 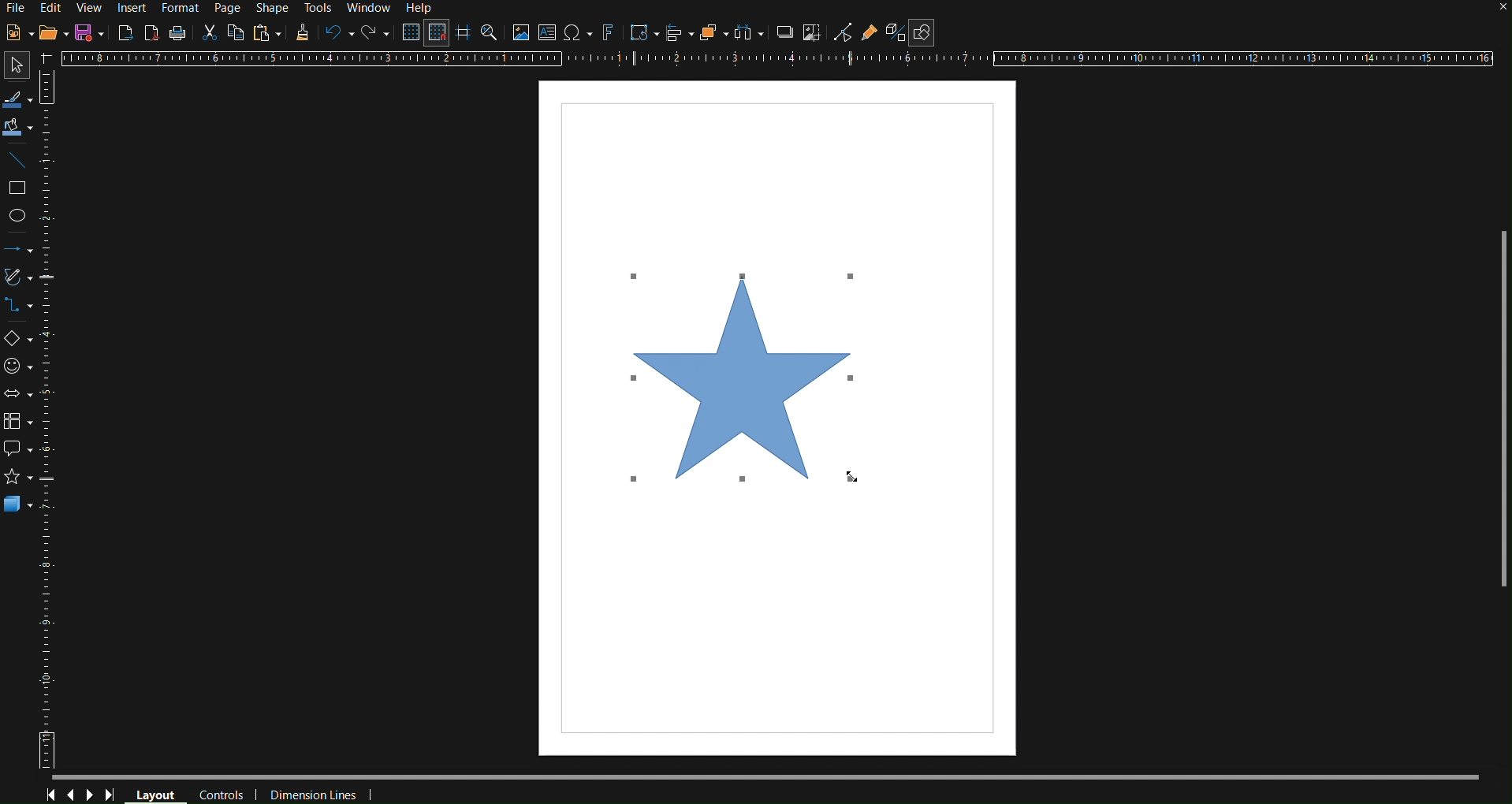 What do you see at coordinates (22, 217) in the screenshot?
I see `Ellipse` at bounding box center [22, 217].